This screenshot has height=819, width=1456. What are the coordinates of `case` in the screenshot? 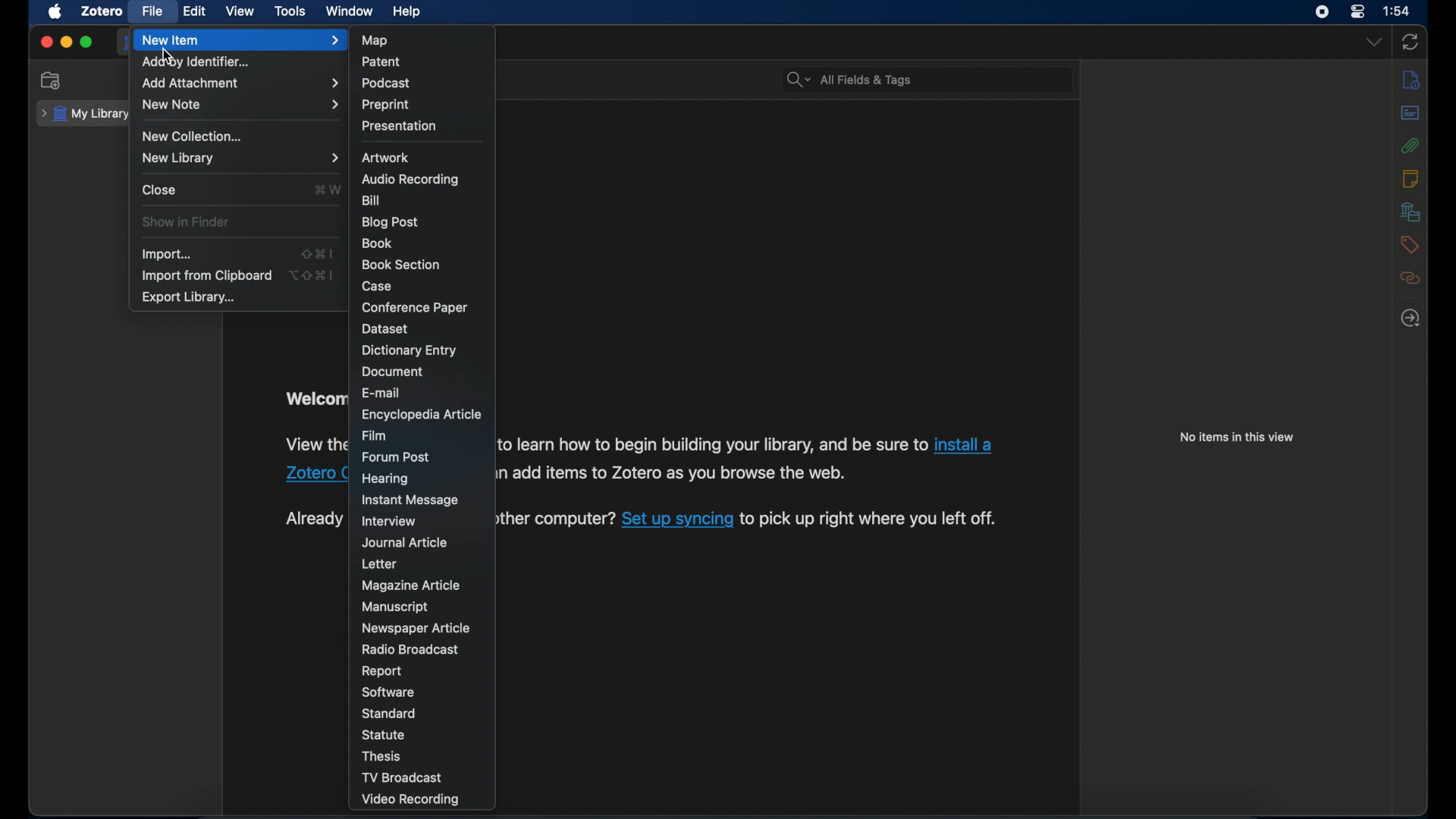 It's located at (378, 286).